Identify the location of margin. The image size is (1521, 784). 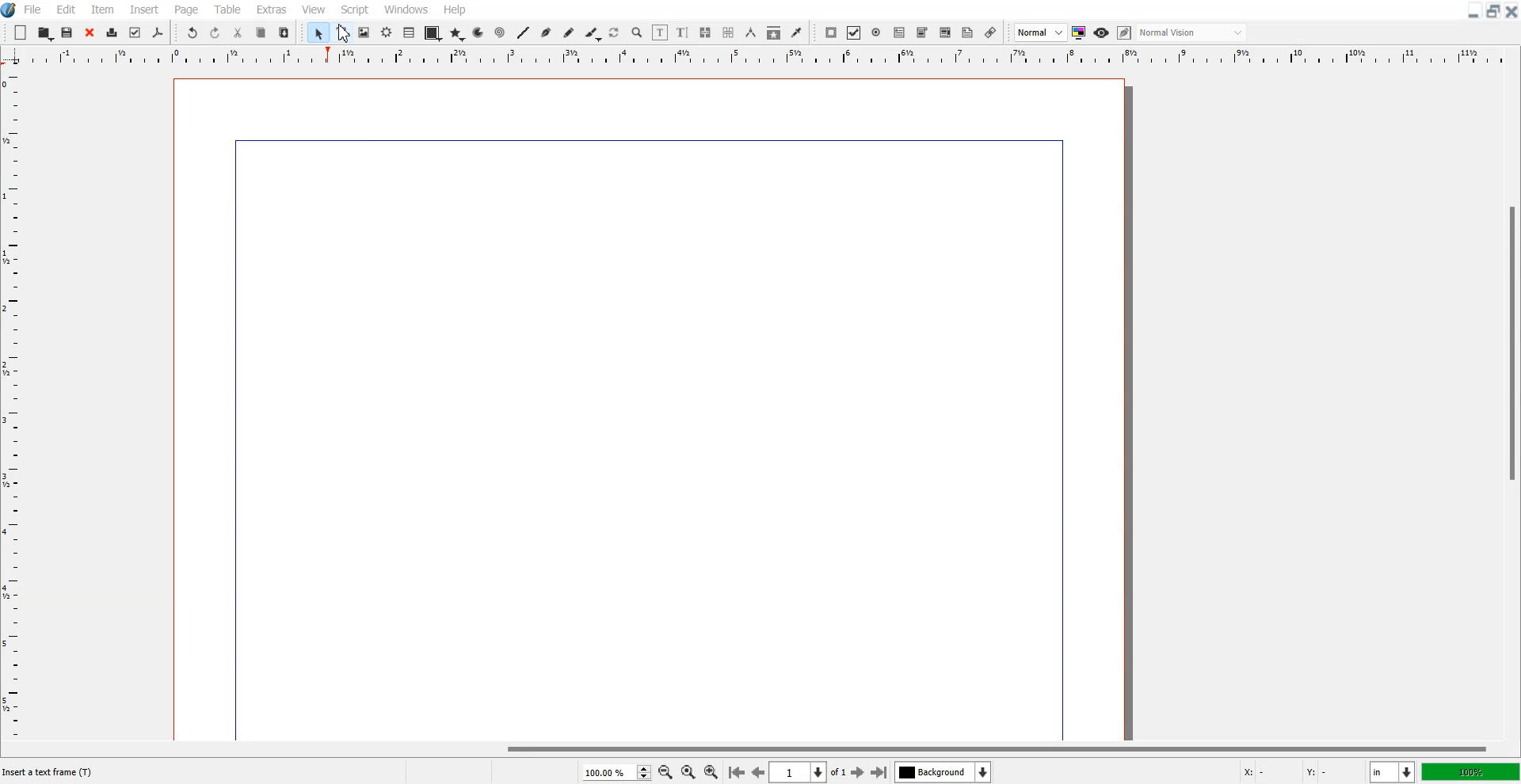
(232, 443).